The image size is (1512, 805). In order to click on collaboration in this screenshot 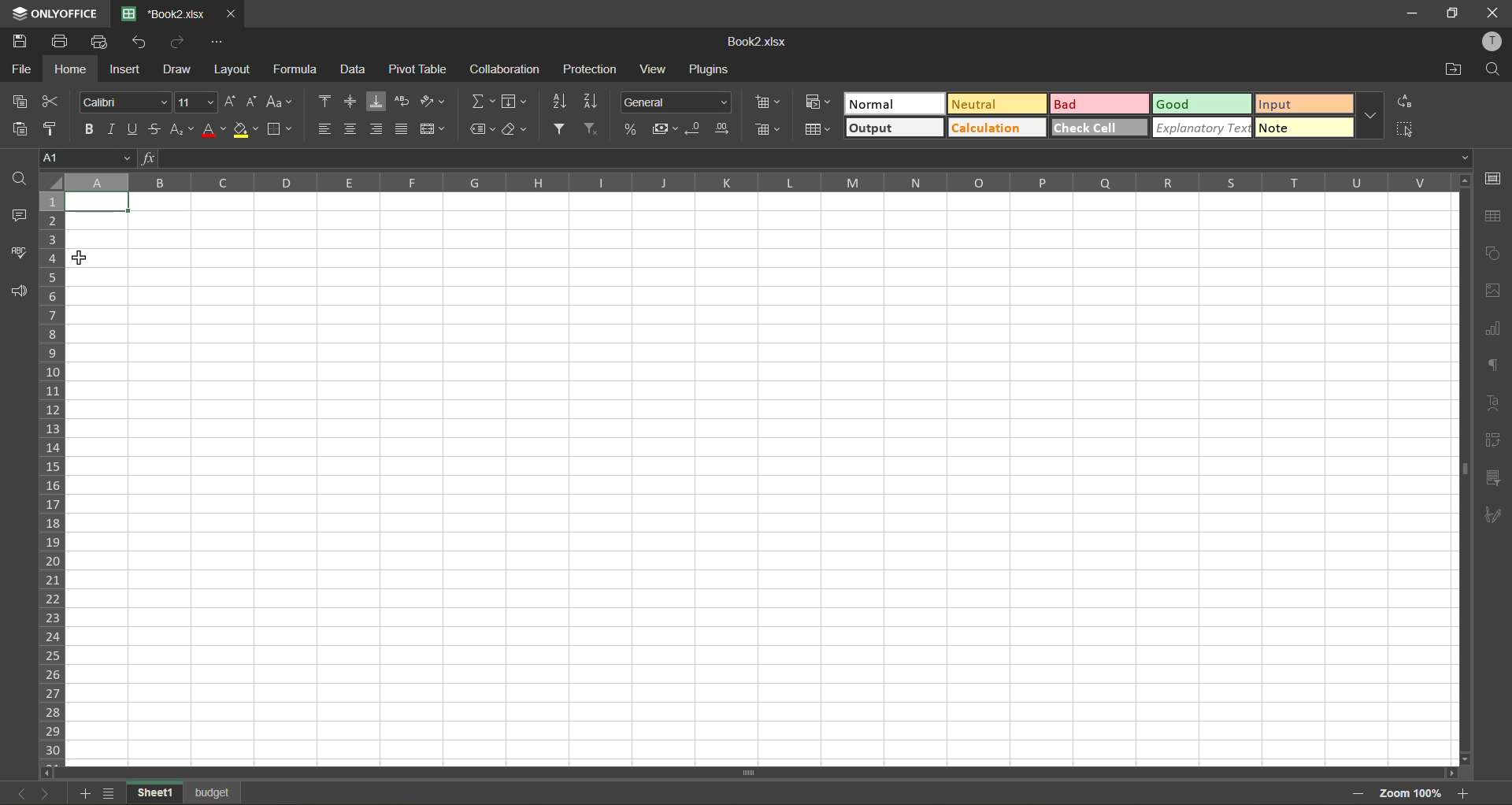, I will do `click(502, 72)`.